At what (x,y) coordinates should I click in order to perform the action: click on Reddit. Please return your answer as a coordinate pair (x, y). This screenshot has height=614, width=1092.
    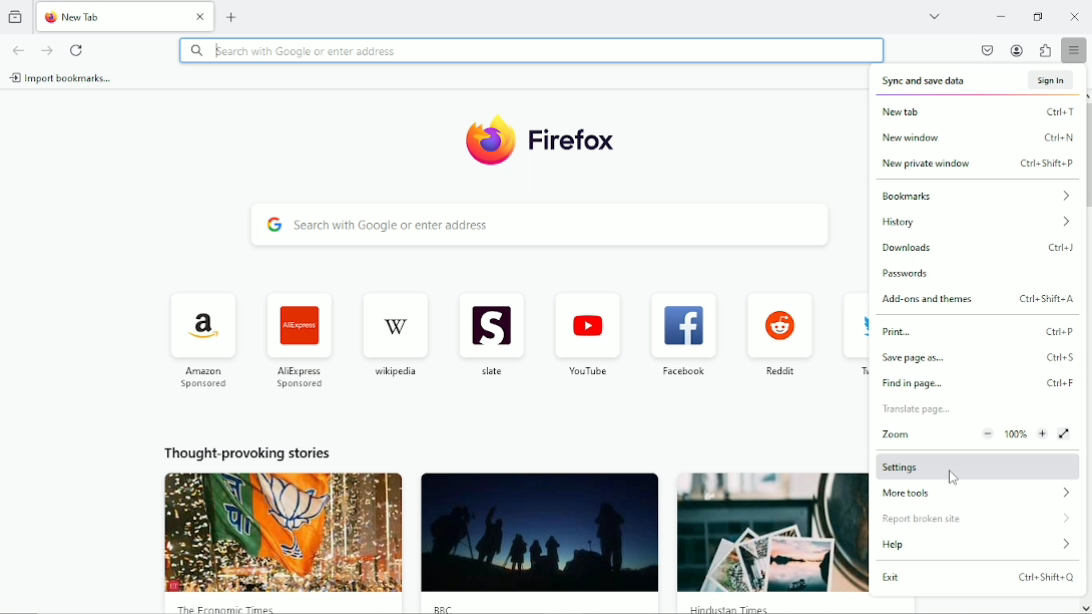
    Looking at the image, I should click on (780, 330).